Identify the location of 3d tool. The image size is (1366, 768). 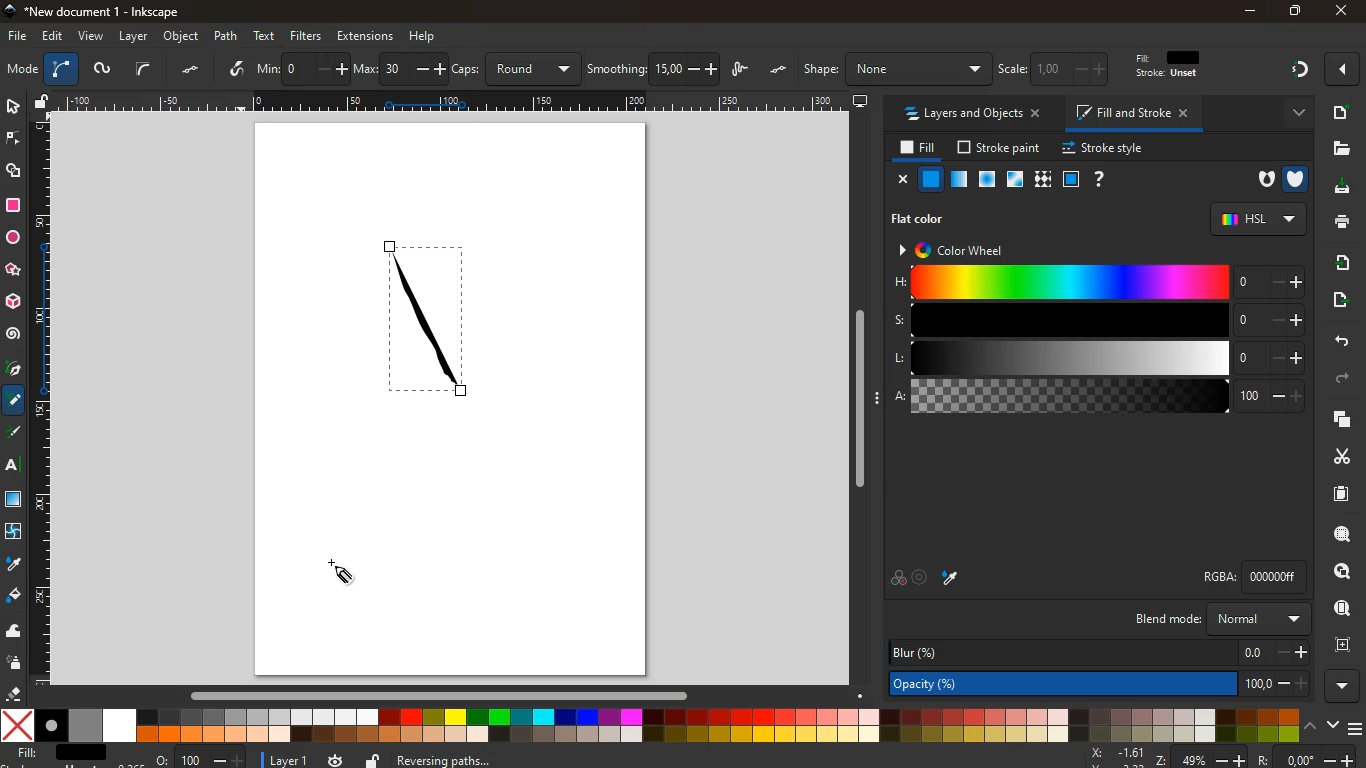
(12, 302).